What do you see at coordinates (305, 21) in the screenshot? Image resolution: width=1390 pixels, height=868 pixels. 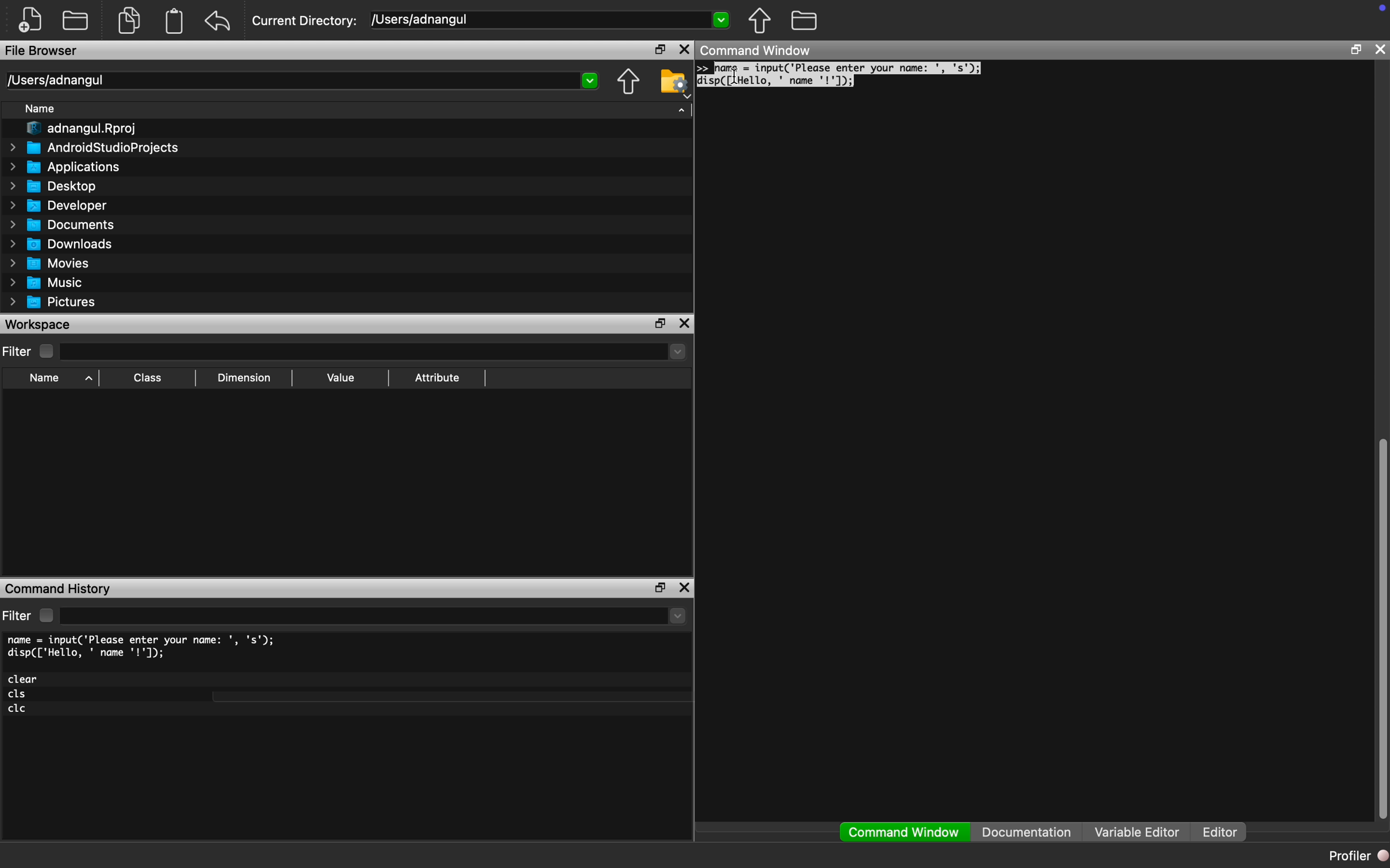 I see `Current Directory: ` at bounding box center [305, 21].